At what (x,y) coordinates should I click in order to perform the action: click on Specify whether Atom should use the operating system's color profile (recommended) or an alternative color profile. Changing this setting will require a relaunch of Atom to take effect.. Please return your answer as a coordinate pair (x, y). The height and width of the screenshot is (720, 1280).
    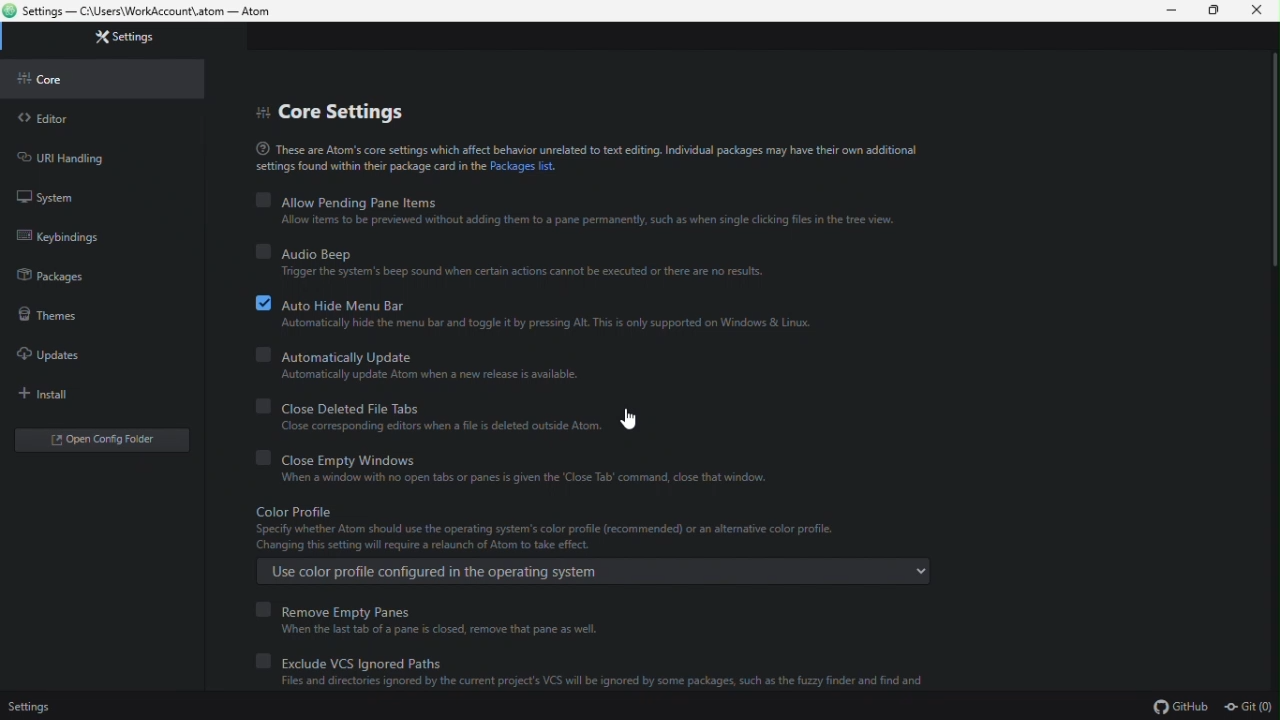
    Looking at the image, I should click on (544, 537).